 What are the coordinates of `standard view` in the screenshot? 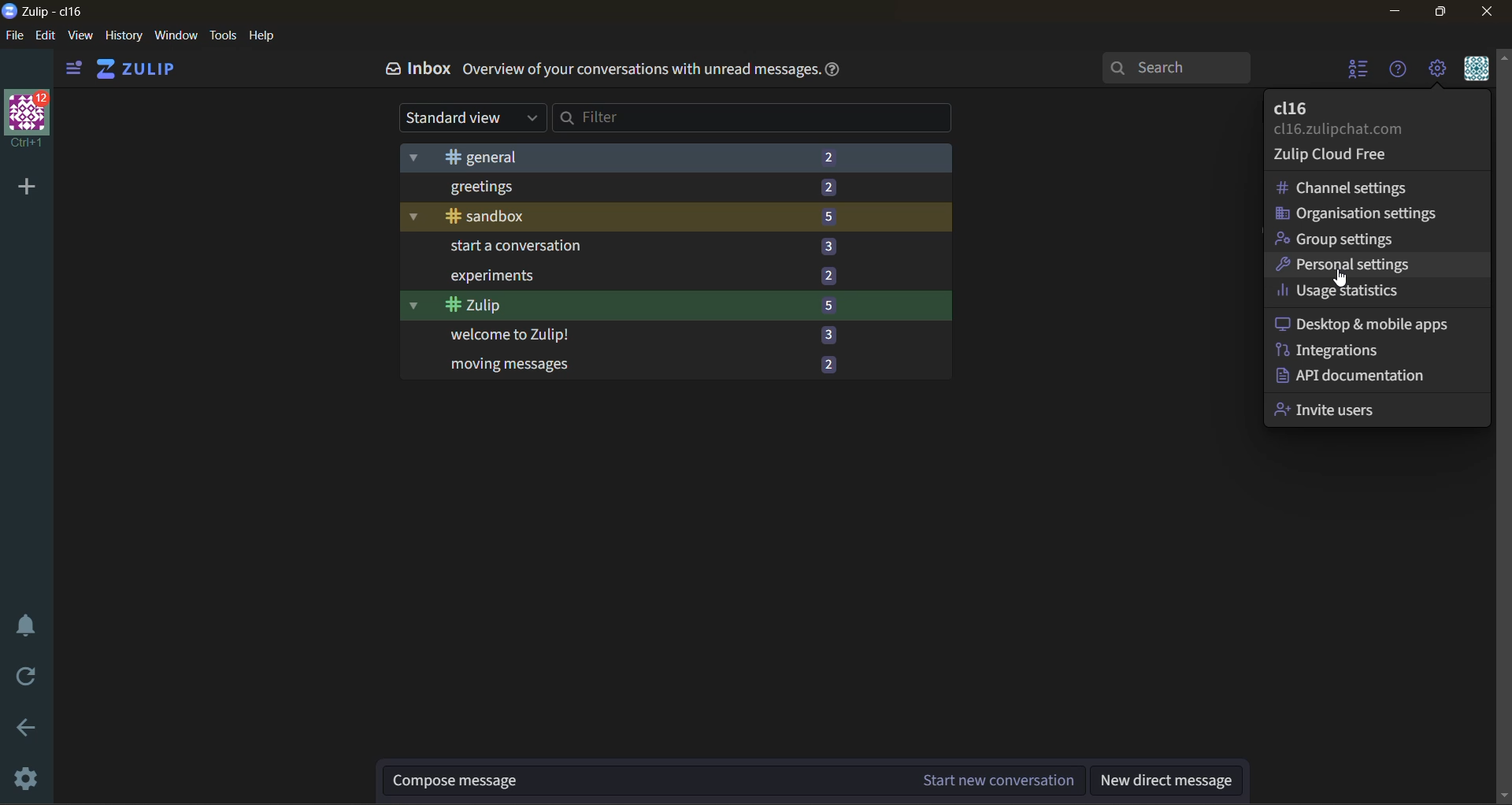 It's located at (469, 116).